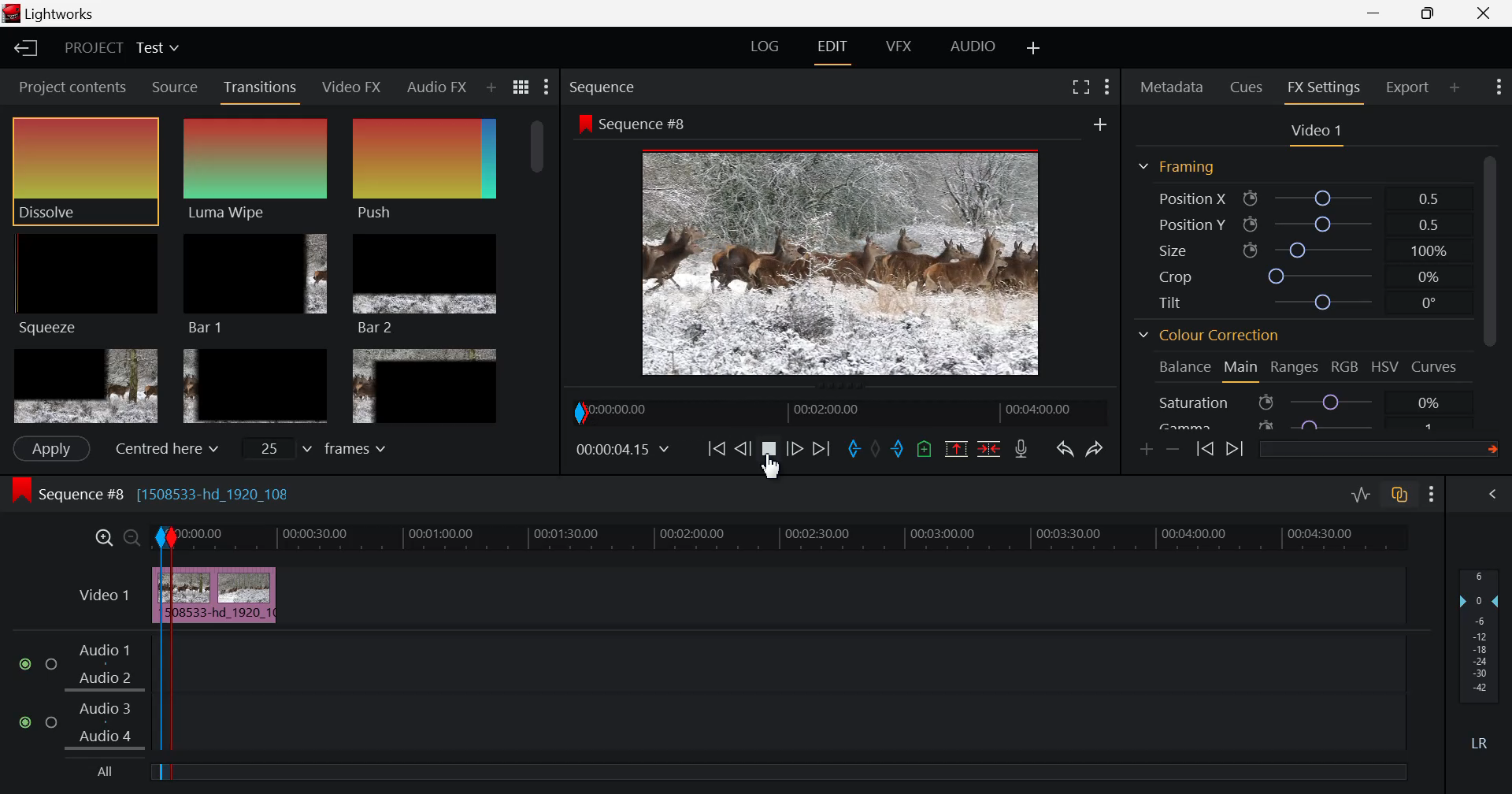  I want to click on Box 4, so click(84, 387).